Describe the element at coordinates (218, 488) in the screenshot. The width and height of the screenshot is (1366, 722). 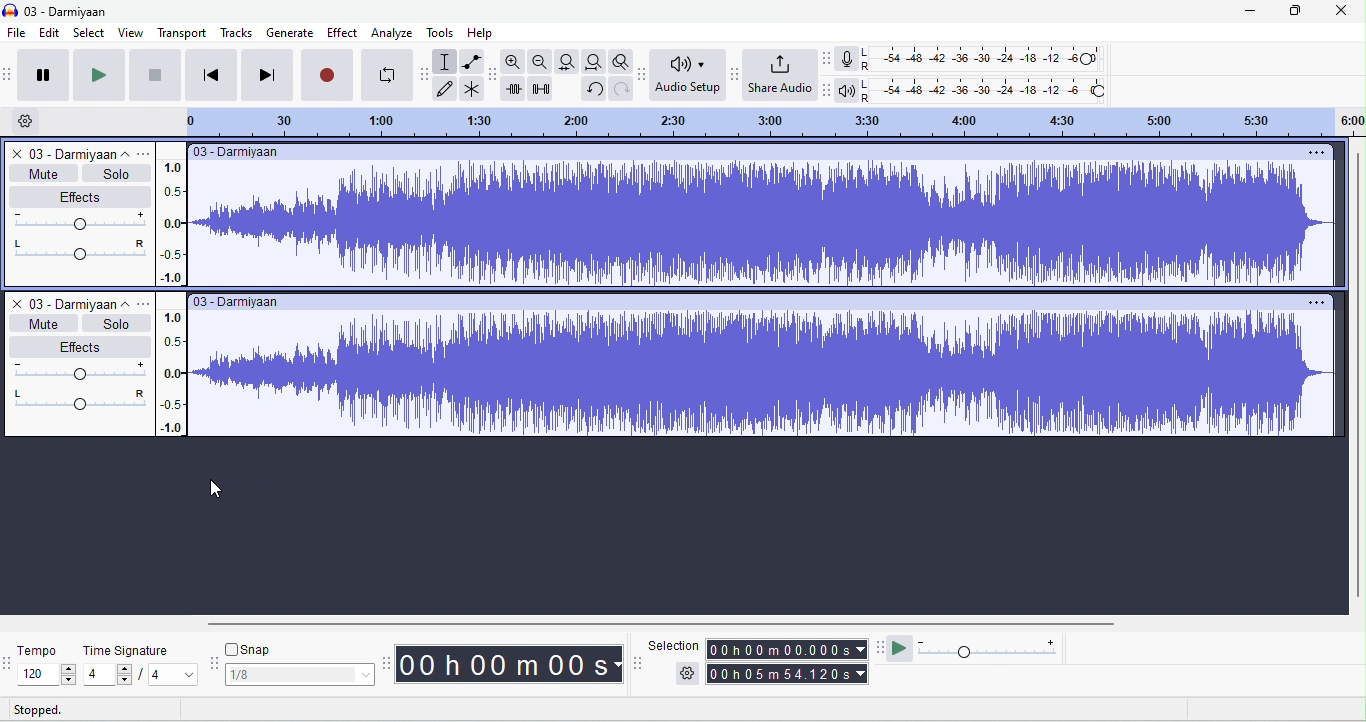
I see `cursor` at that location.